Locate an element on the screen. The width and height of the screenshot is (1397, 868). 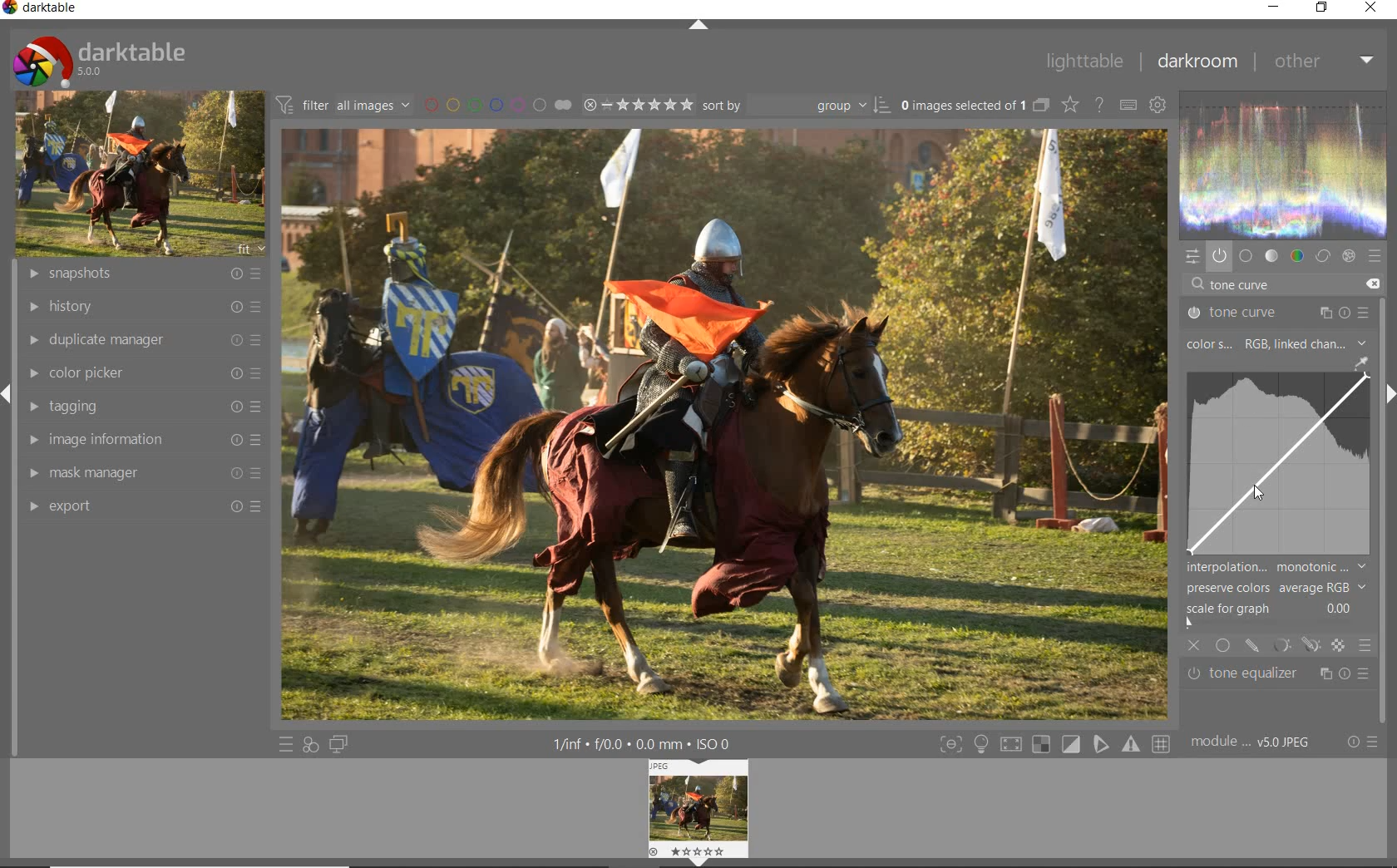
module... v5.0 JPEG is located at coordinates (1255, 742).